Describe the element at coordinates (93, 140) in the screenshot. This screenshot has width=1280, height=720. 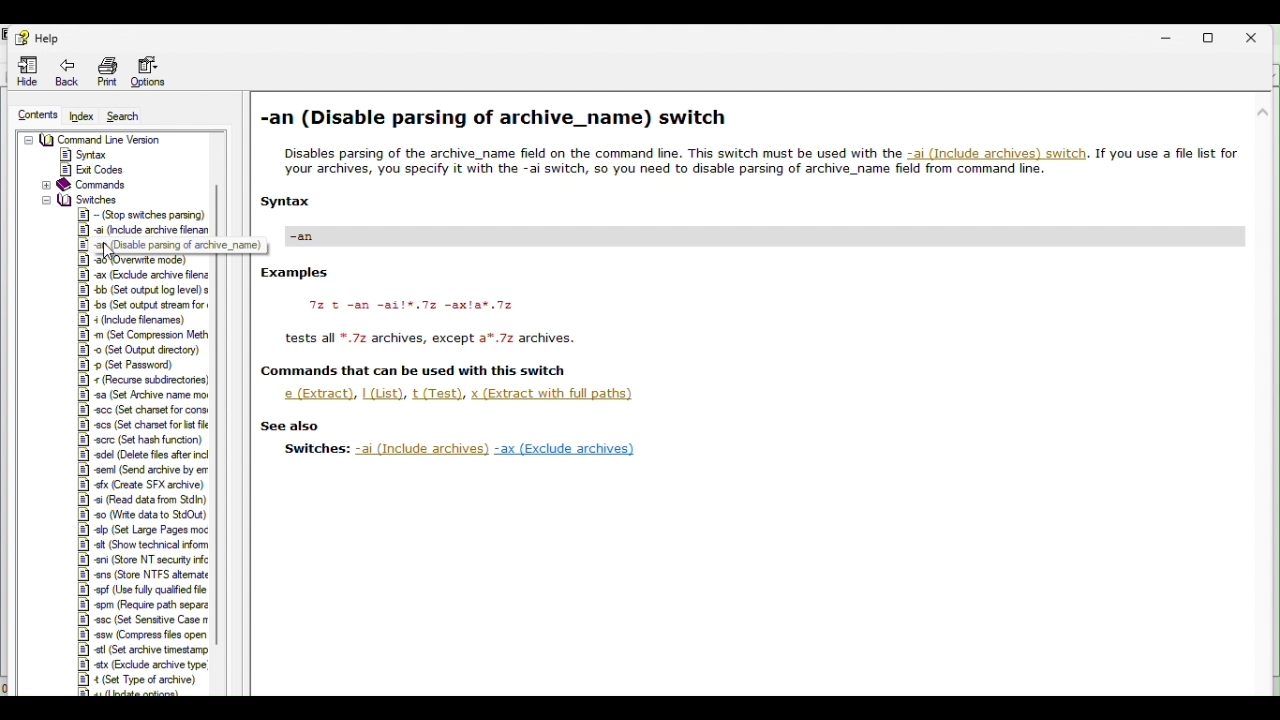
I see `Command Line Version` at that location.